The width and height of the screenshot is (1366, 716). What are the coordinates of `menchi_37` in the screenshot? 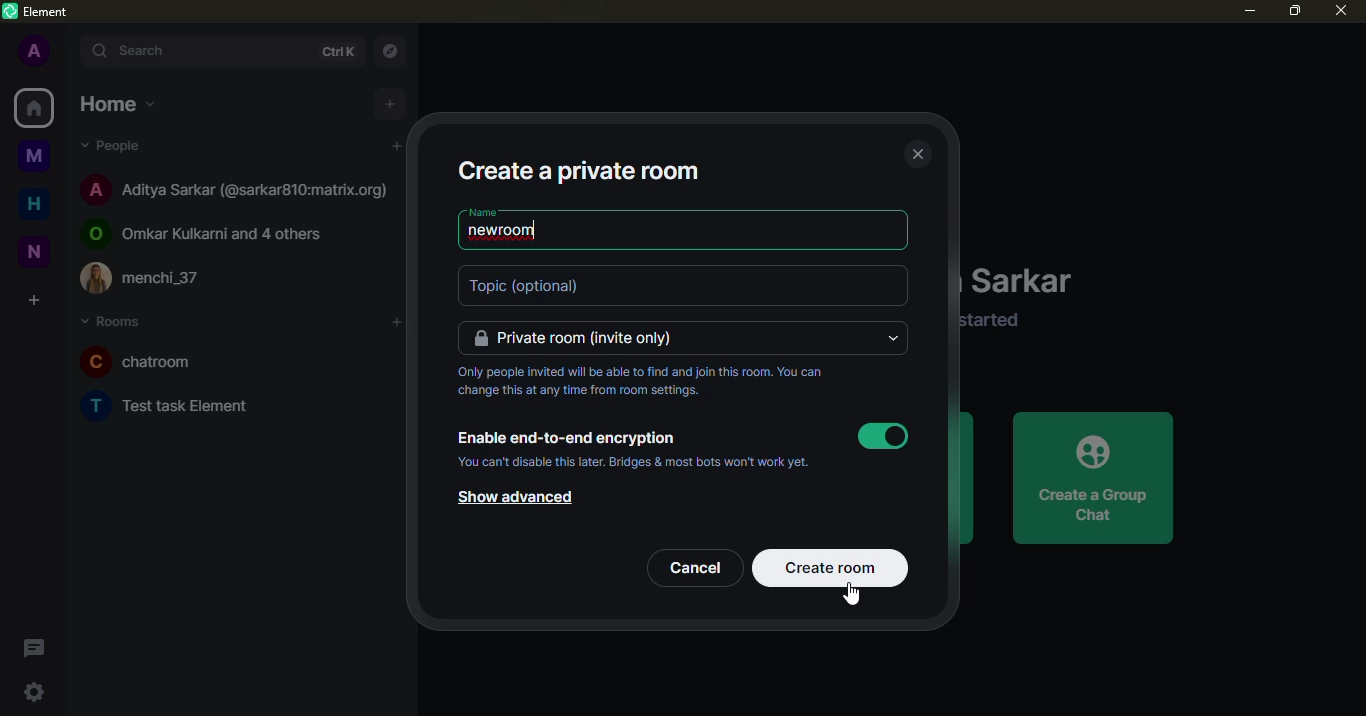 It's located at (144, 276).